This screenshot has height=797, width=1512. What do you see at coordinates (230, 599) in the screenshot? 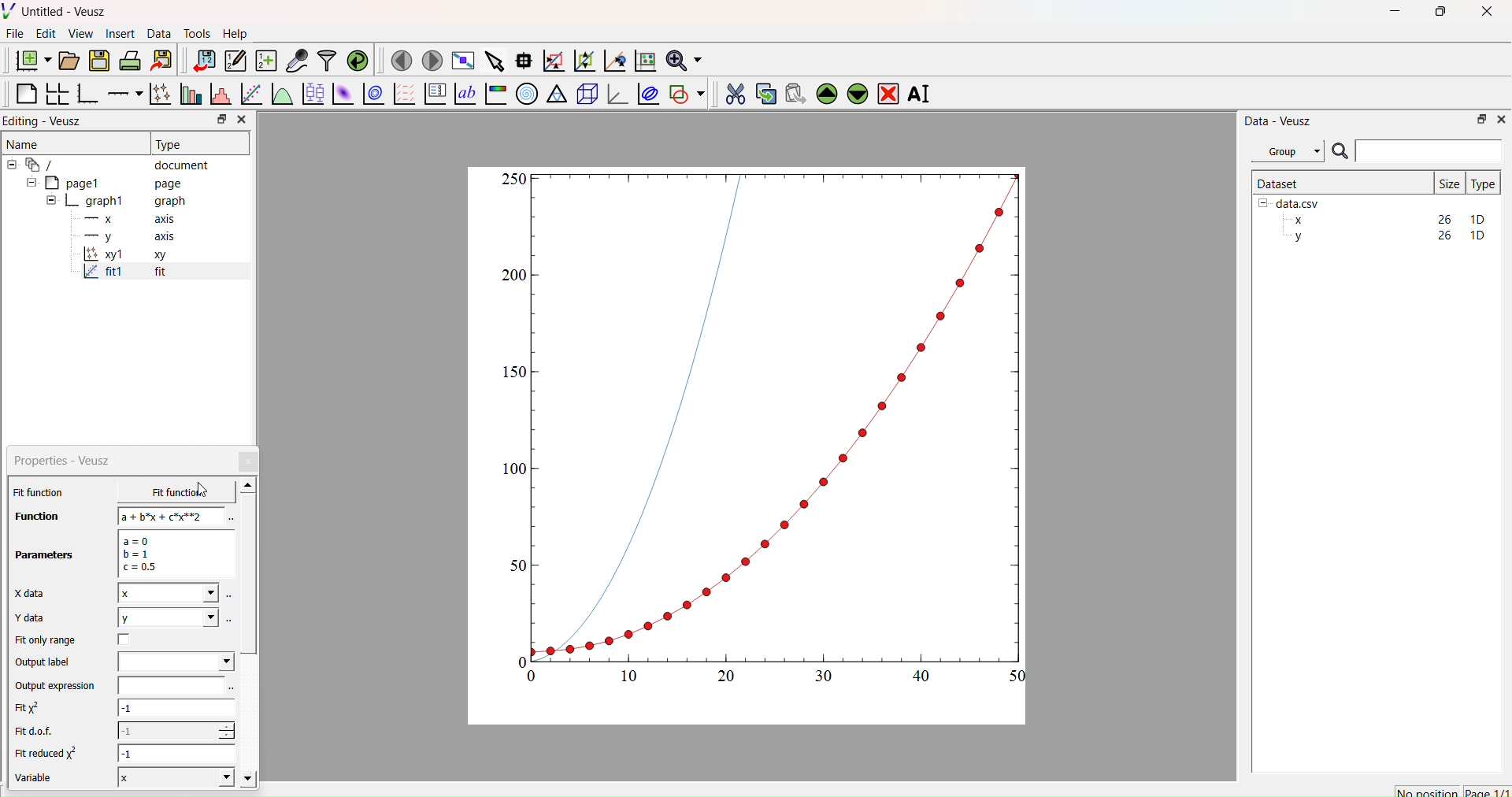
I see `Select using dataset browser` at bounding box center [230, 599].